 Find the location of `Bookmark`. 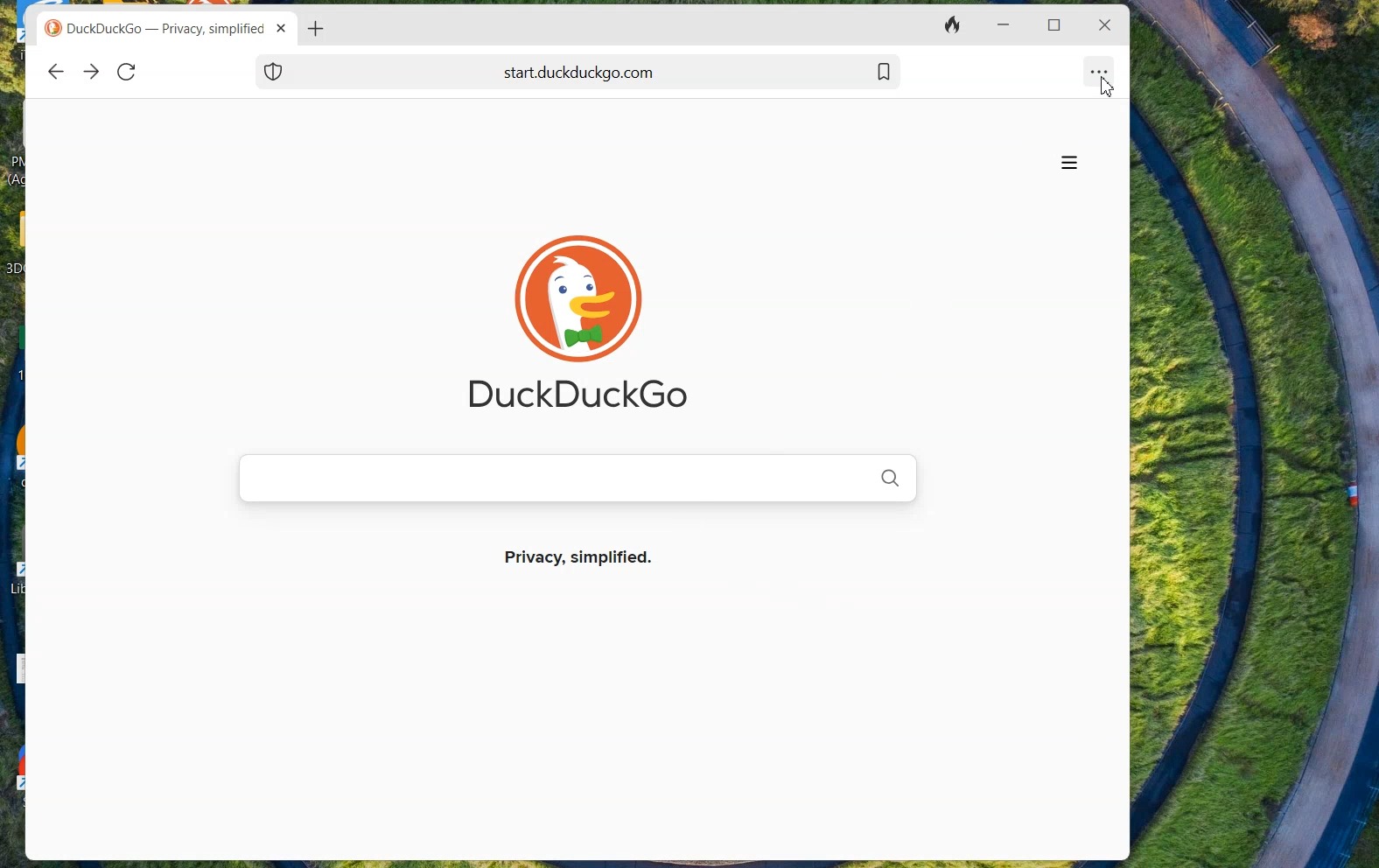

Bookmark is located at coordinates (884, 71).